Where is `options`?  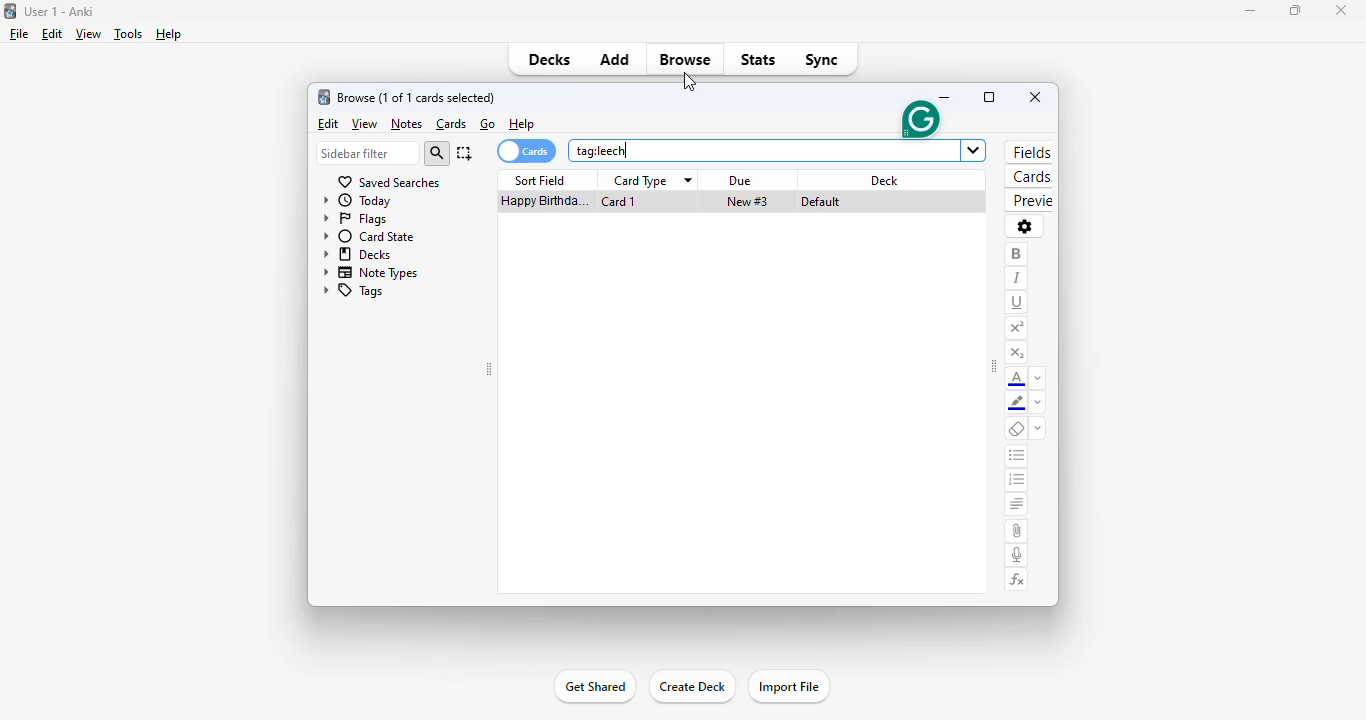
options is located at coordinates (1025, 228).